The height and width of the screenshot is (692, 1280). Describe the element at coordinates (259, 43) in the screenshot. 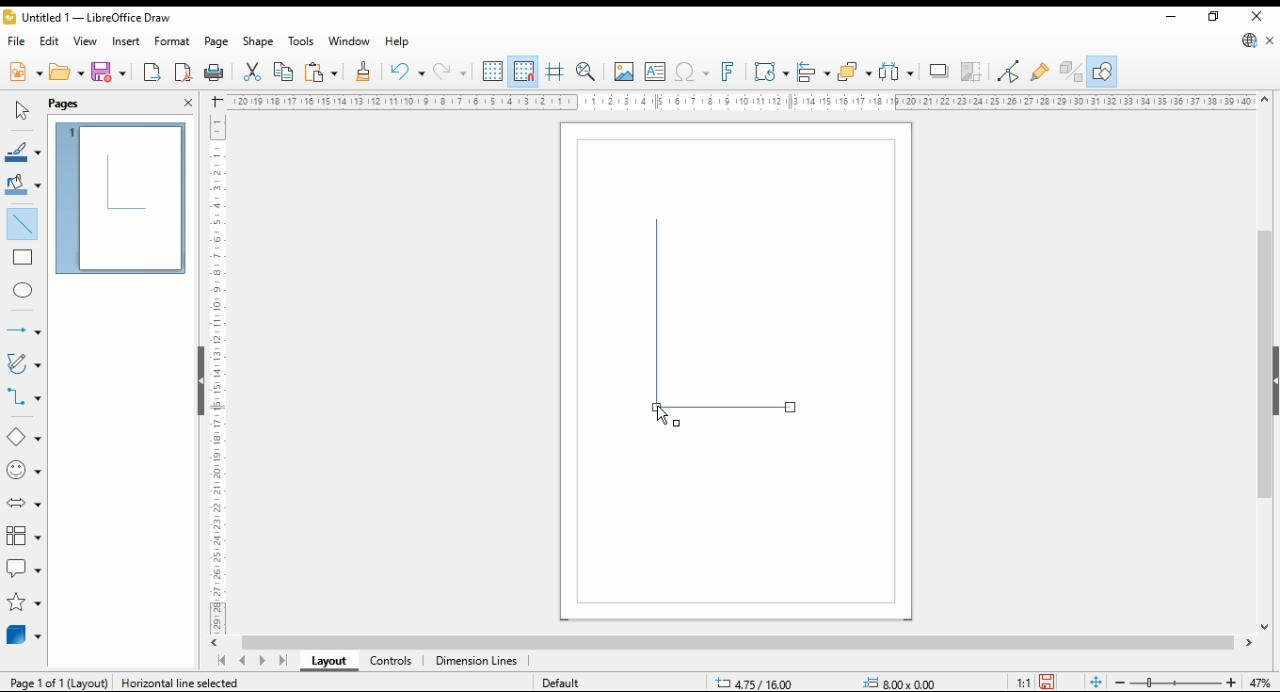

I see `shape` at that location.